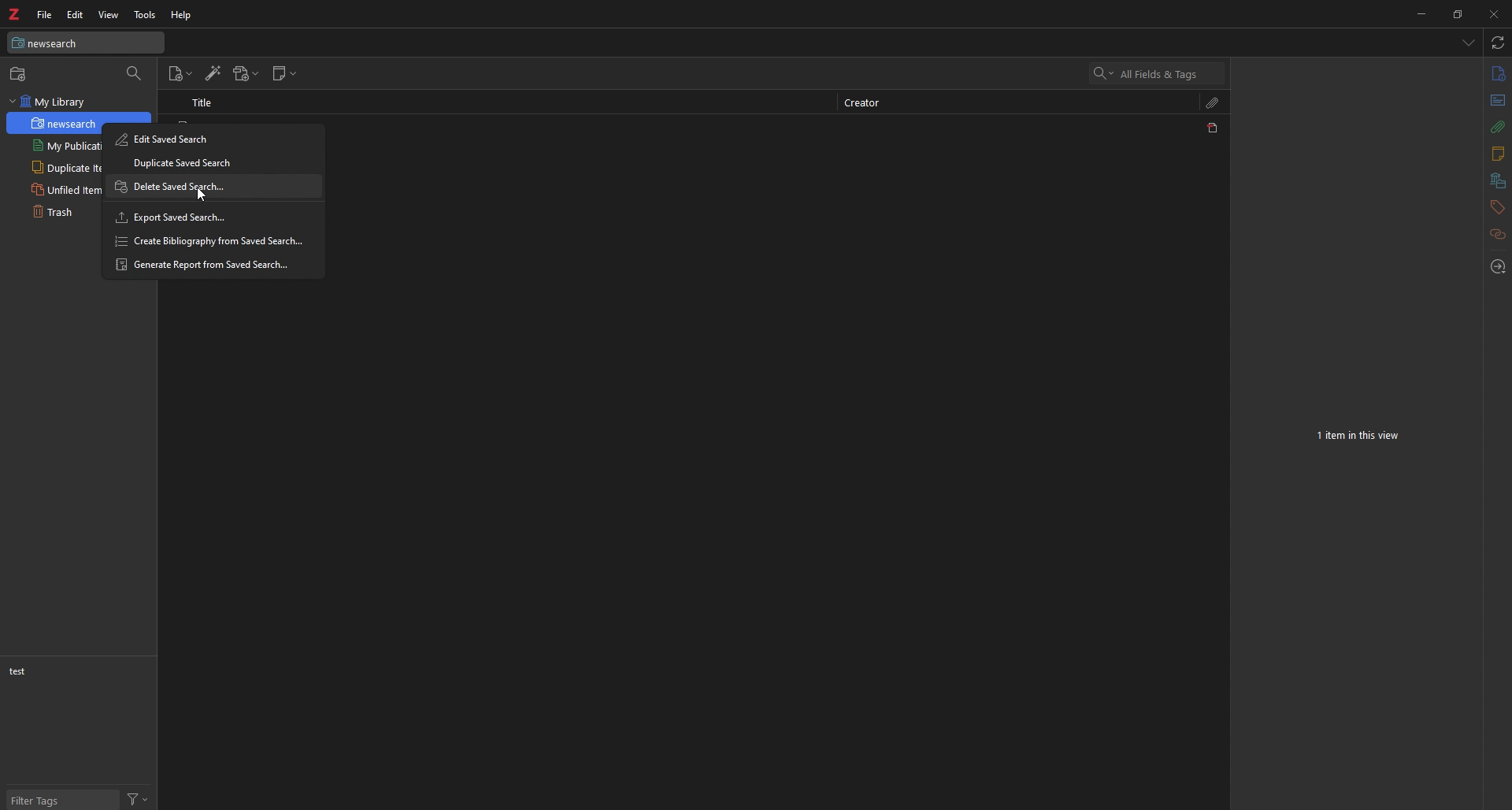 This screenshot has width=1512, height=810. What do you see at coordinates (1495, 129) in the screenshot?
I see `Attachments` at bounding box center [1495, 129].